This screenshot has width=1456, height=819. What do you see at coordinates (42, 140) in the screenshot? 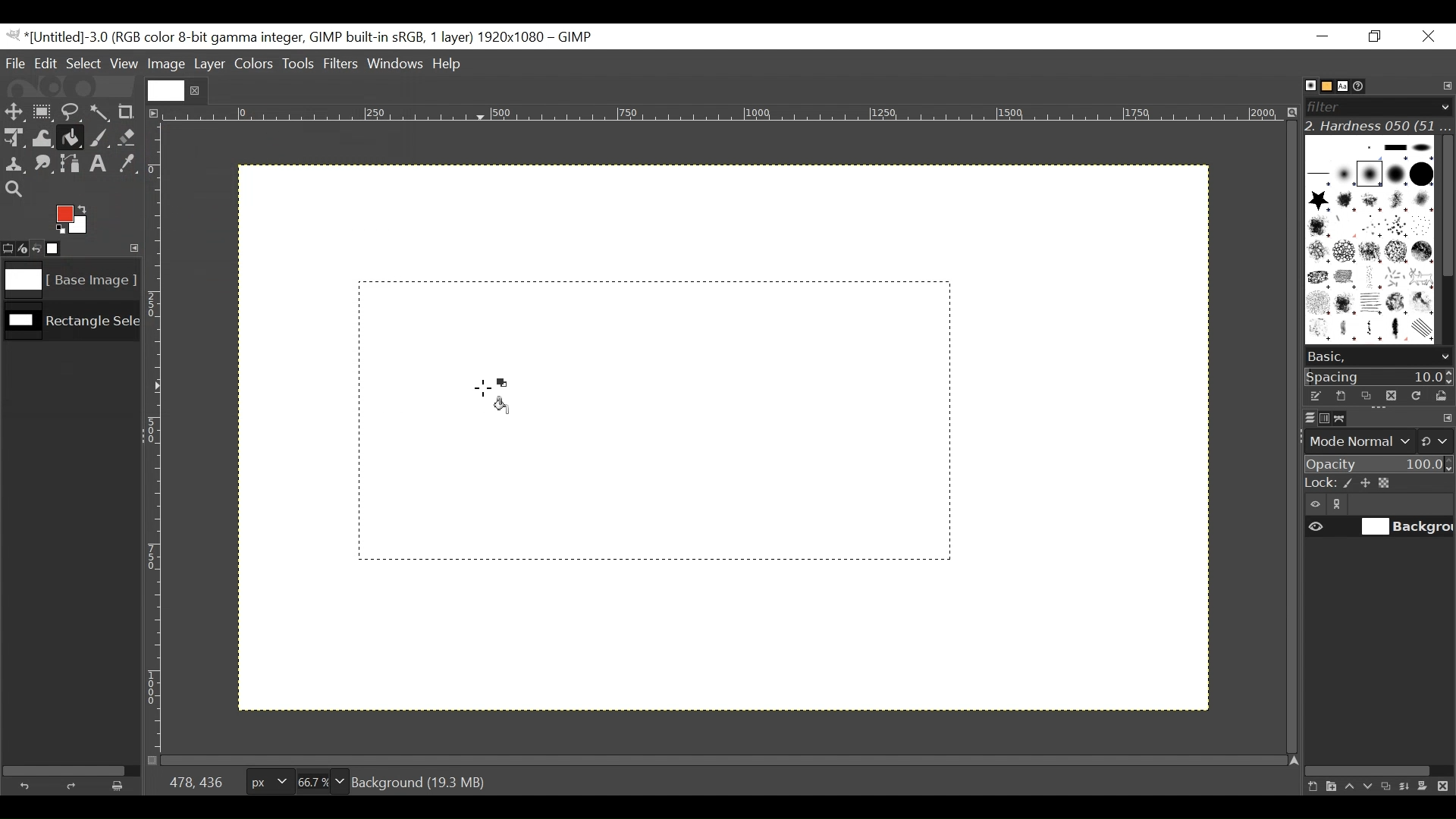
I see `Warp Transform` at bounding box center [42, 140].